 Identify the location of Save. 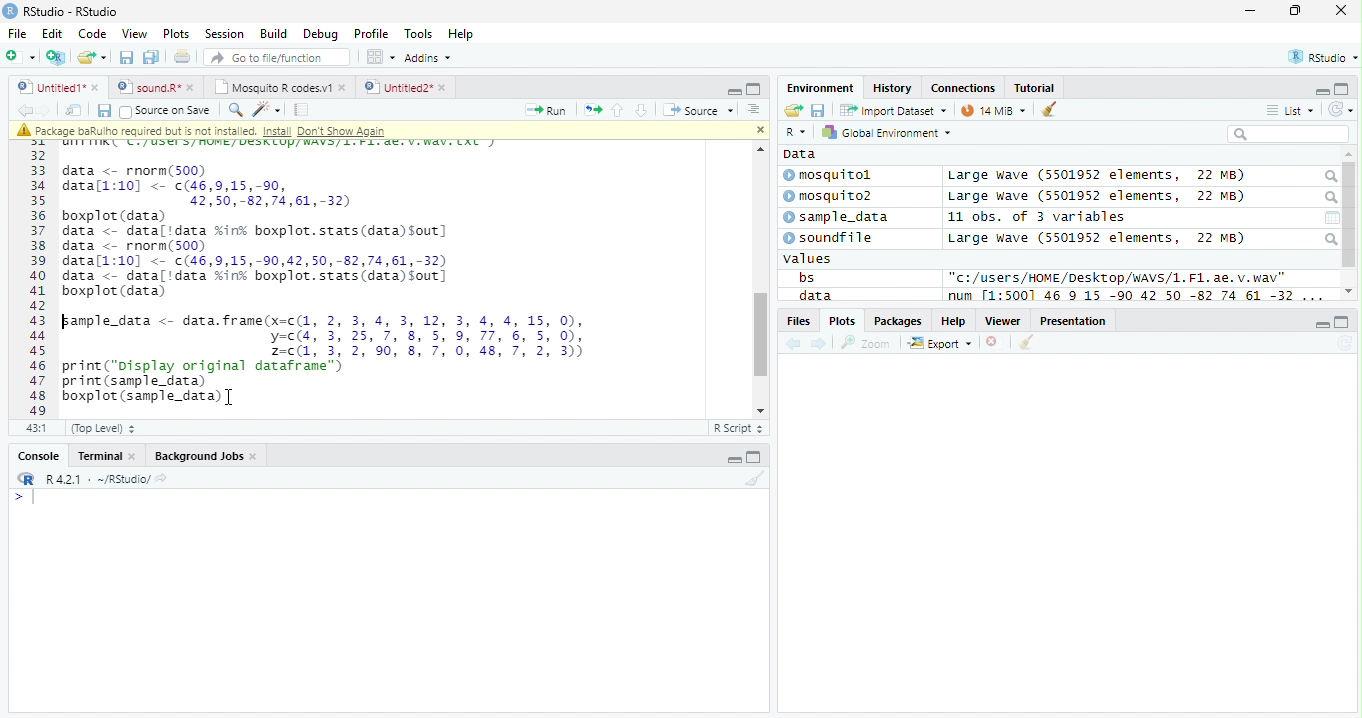
(103, 111).